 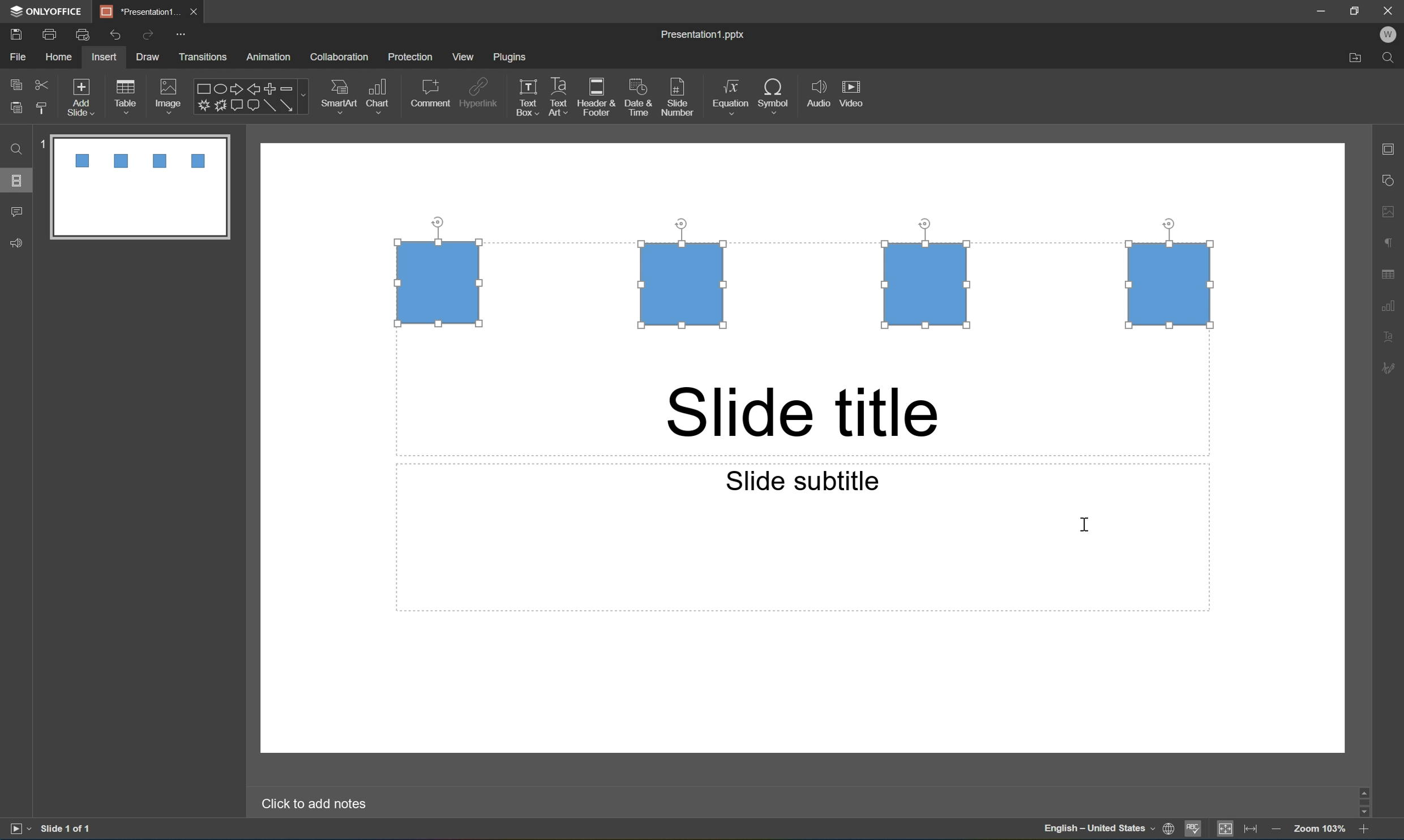 What do you see at coordinates (318, 804) in the screenshot?
I see `Click to add notes` at bounding box center [318, 804].